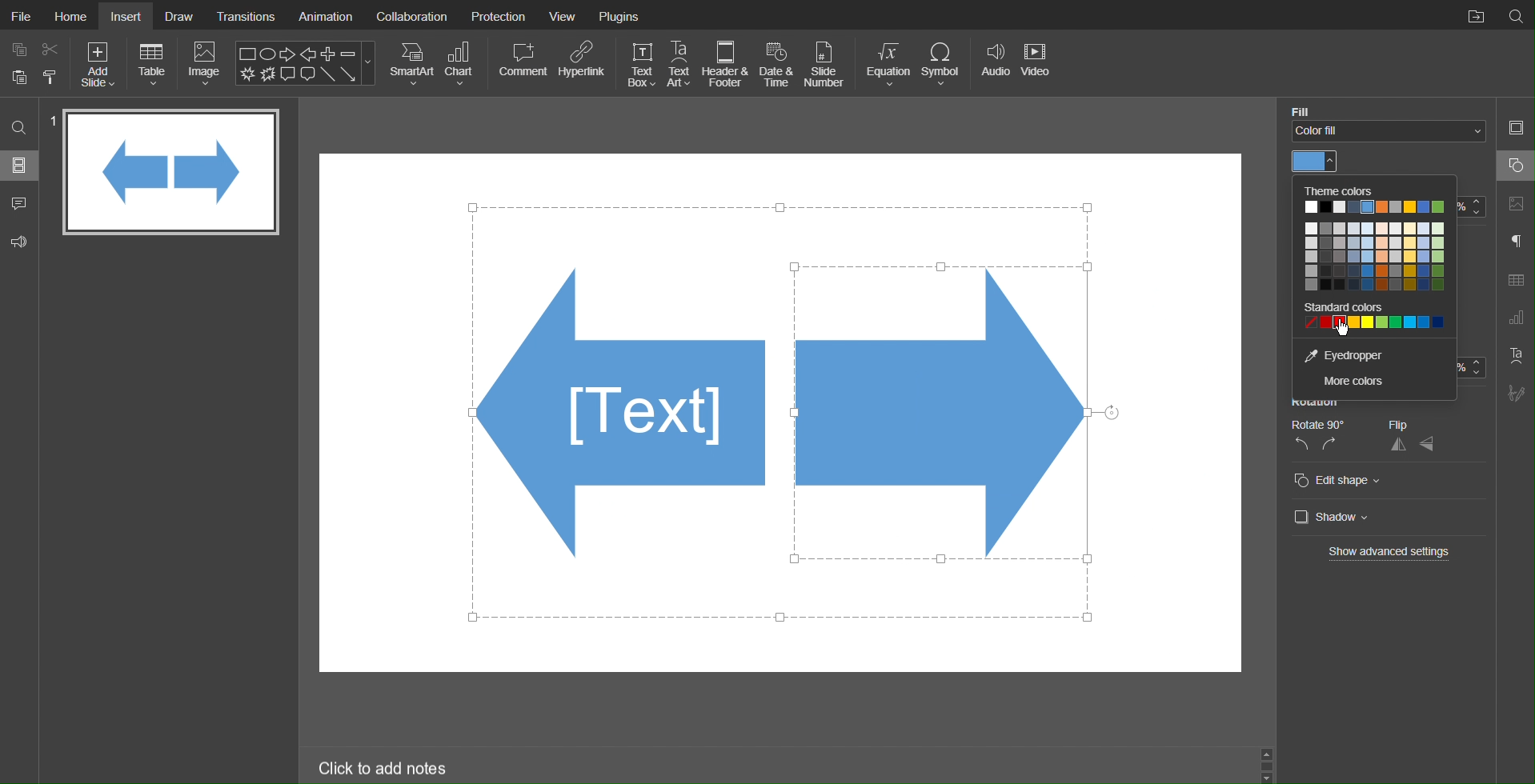 This screenshot has width=1535, height=784. Describe the element at coordinates (1515, 393) in the screenshot. I see `Signature` at that location.